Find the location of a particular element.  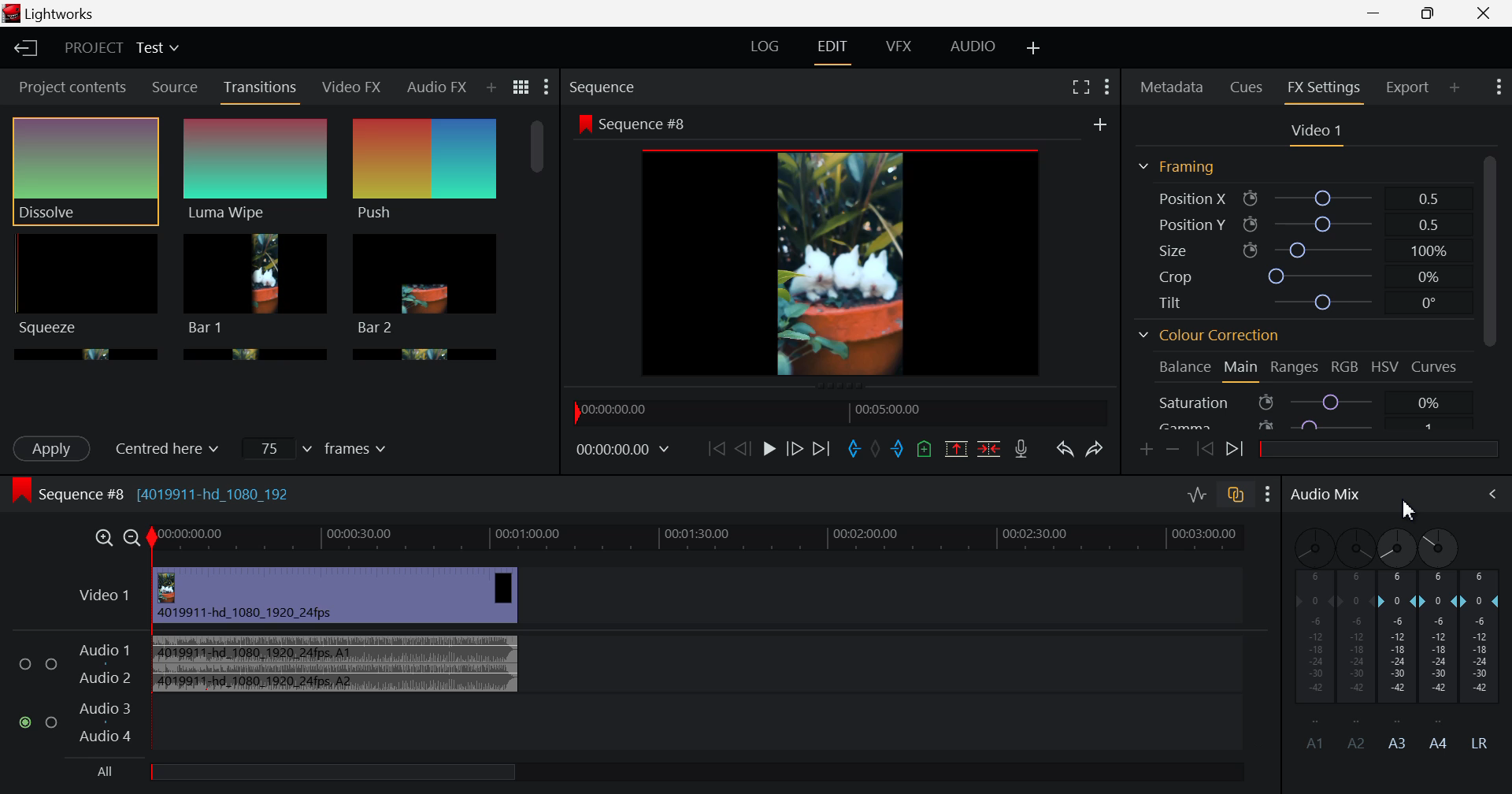

All is located at coordinates (329, 772).